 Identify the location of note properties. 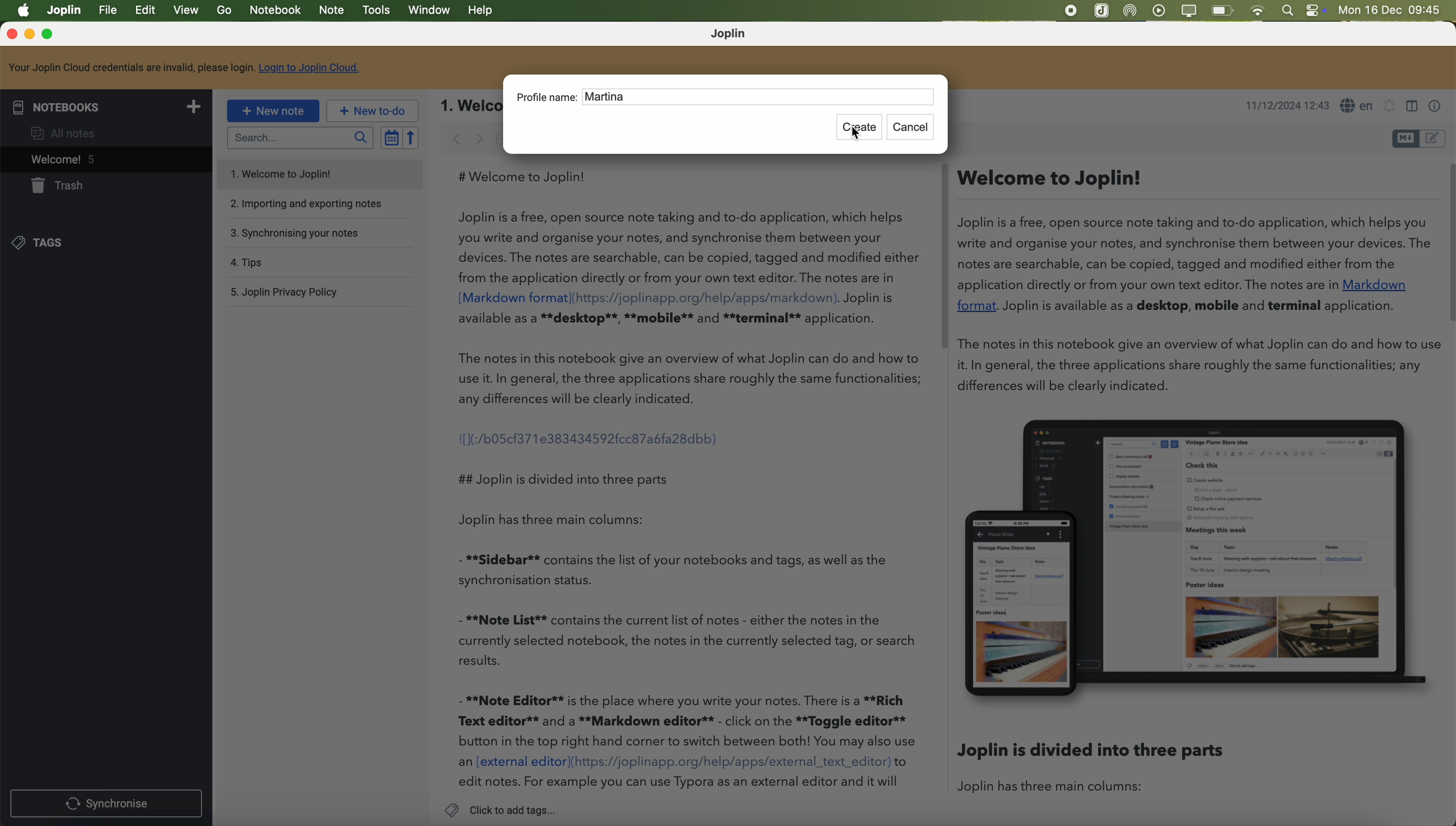
(1438, 107).